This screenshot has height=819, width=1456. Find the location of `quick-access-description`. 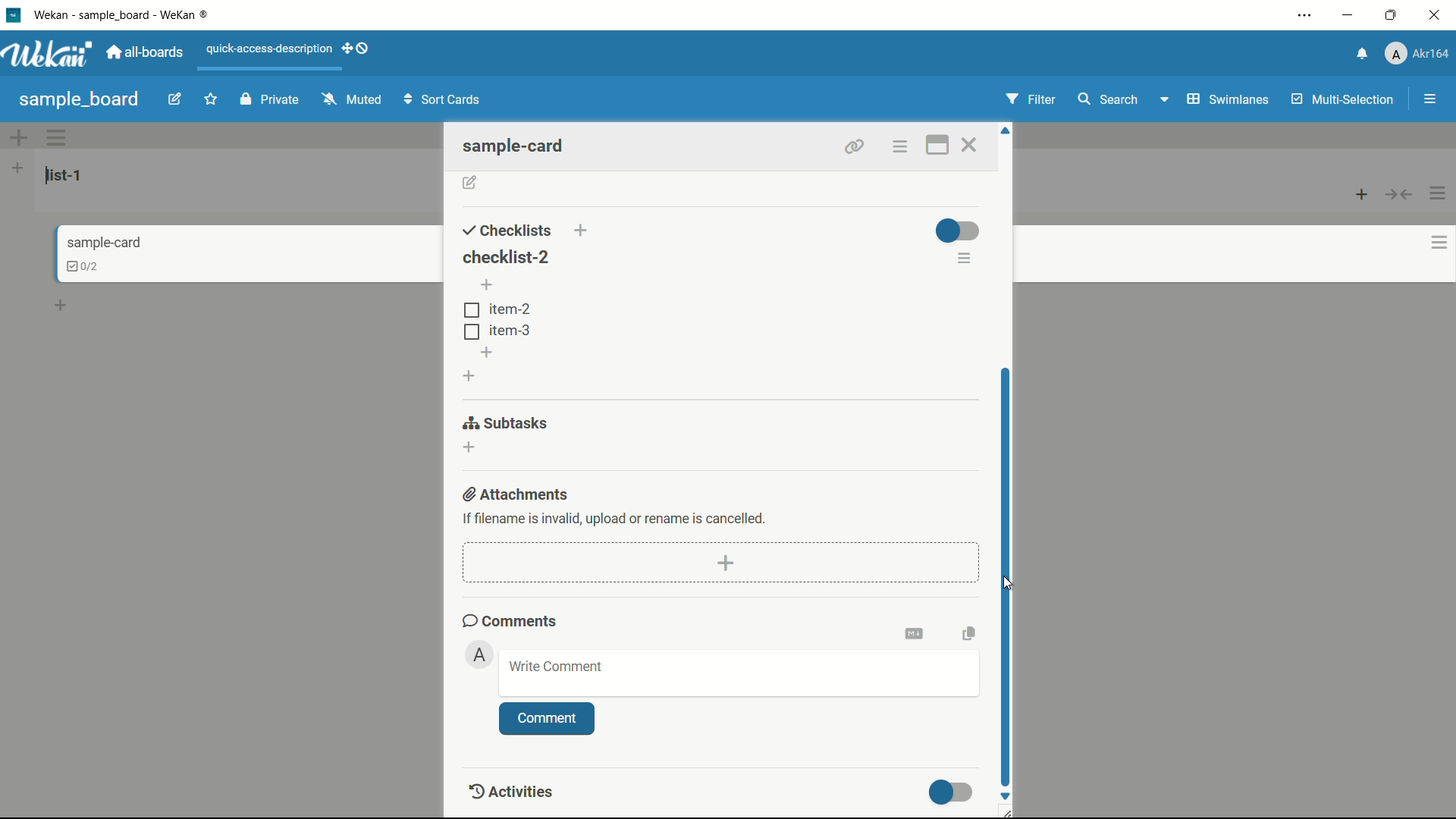

quick-access-description is located at coordinates (269, 49).